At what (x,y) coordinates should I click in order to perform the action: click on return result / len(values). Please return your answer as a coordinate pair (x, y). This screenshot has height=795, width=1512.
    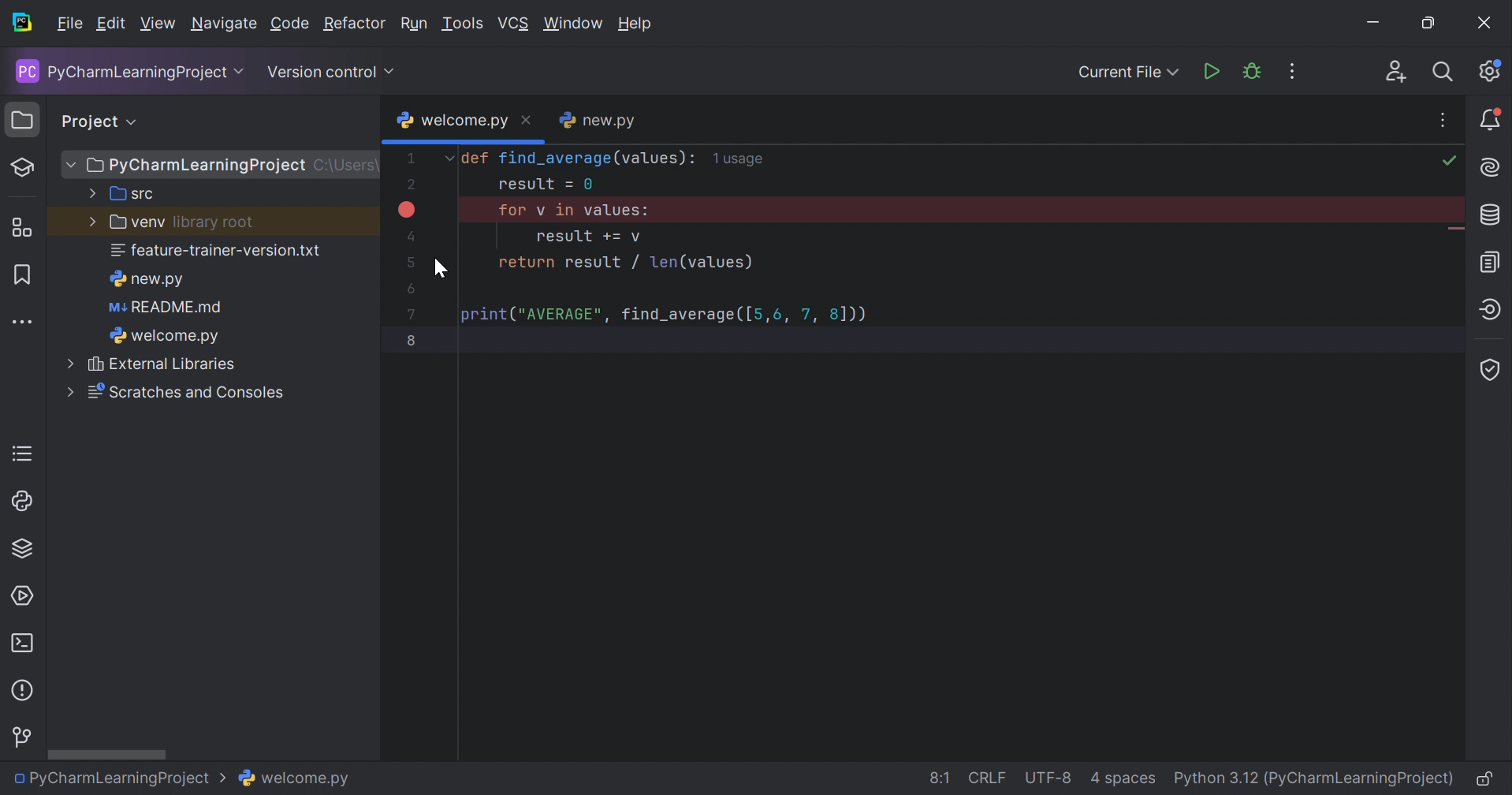
    Looking at the image, I should click on (627, 263).